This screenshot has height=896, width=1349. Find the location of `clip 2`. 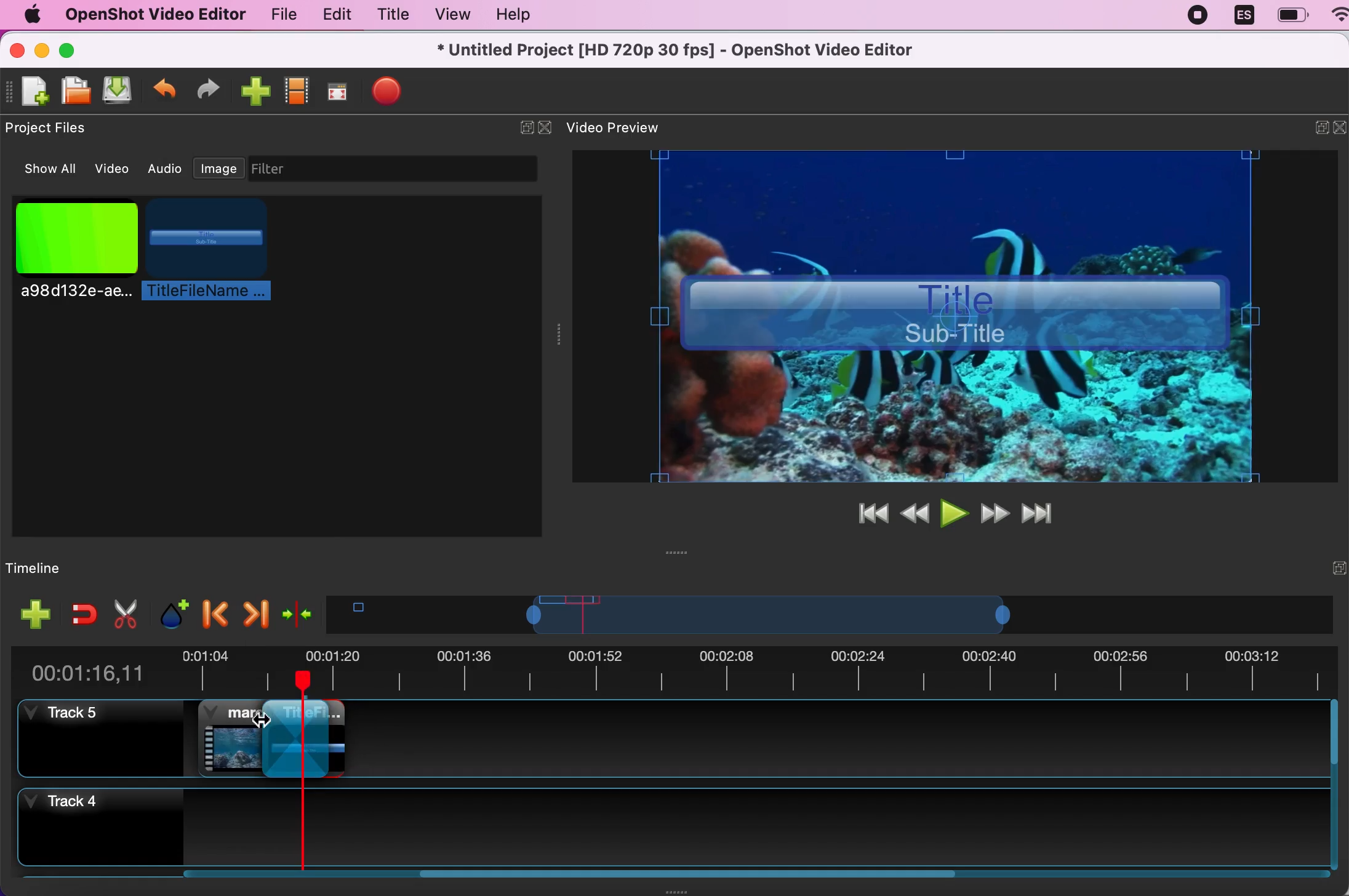

clip 2 is located at coordinates (319, 738).